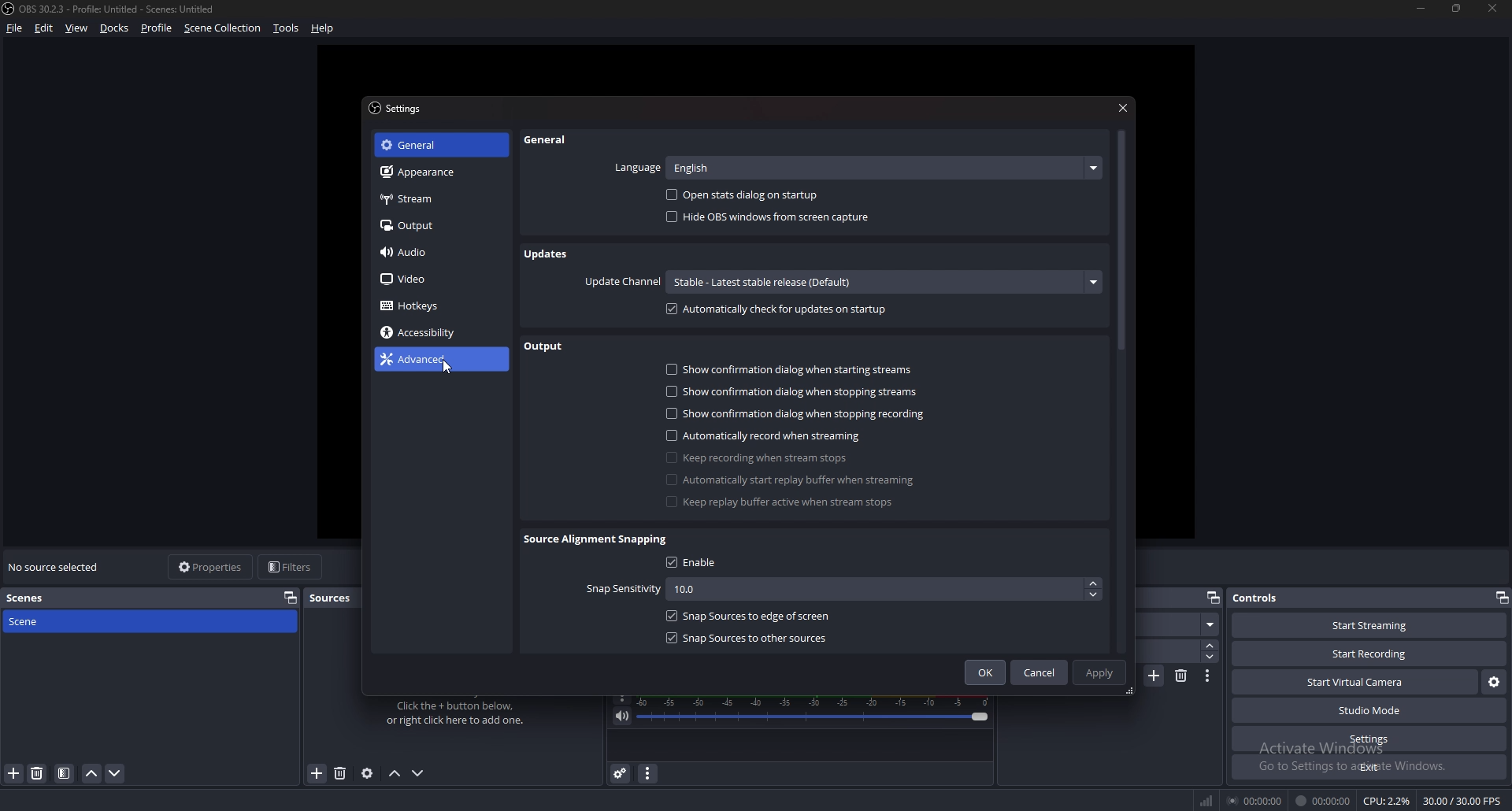 The width and height of the screenshot is (1512, 811). Describe the element at coordinates (750, 191) in the screenshot. I see ` Open stats dialog on startup` at that location.